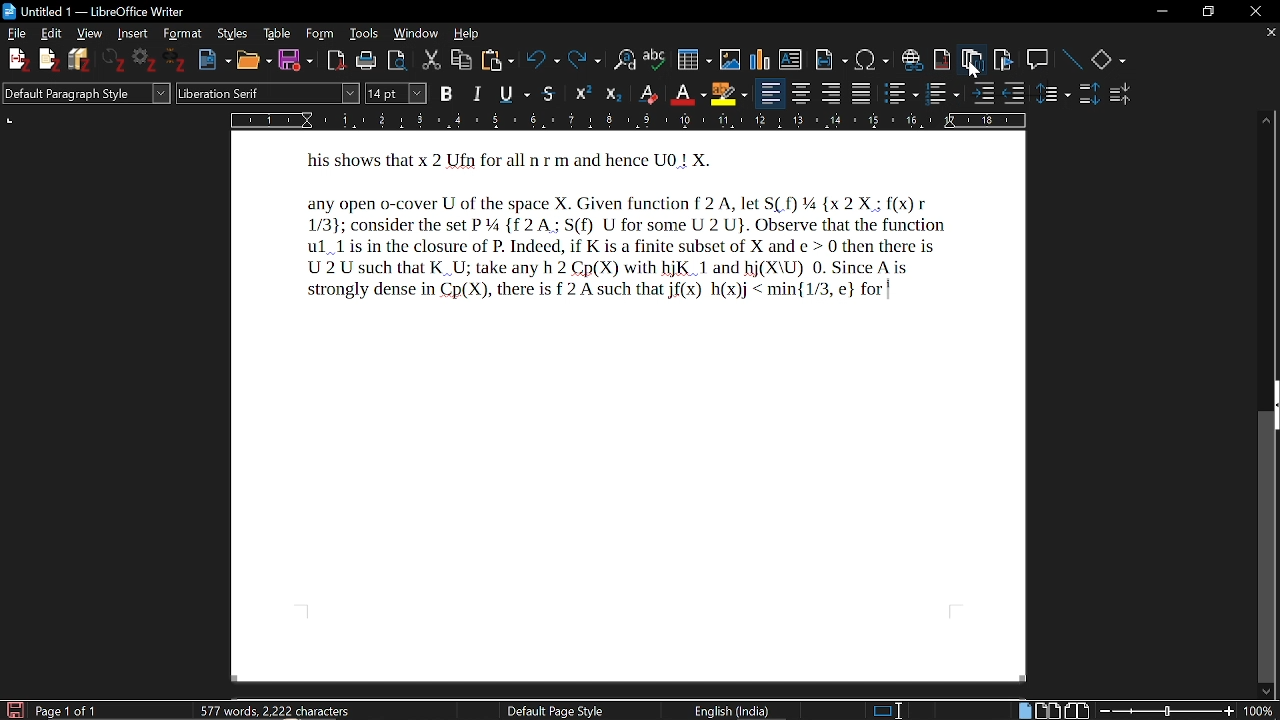  I want to click on 577 Word, 2,222 characters, so click(281, 712).